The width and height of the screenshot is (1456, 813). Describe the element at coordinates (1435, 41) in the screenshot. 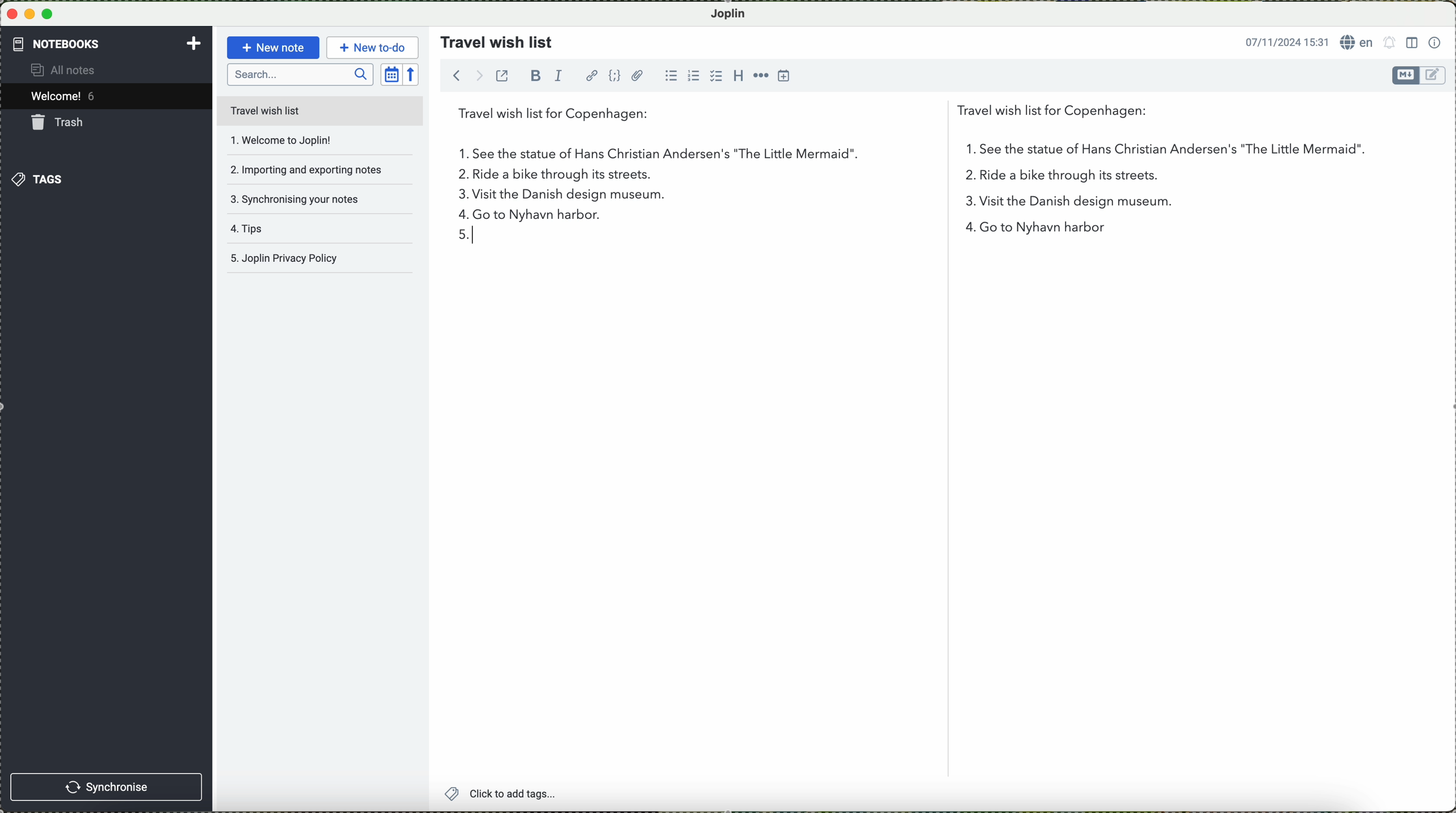

I see `note properties` at that location.